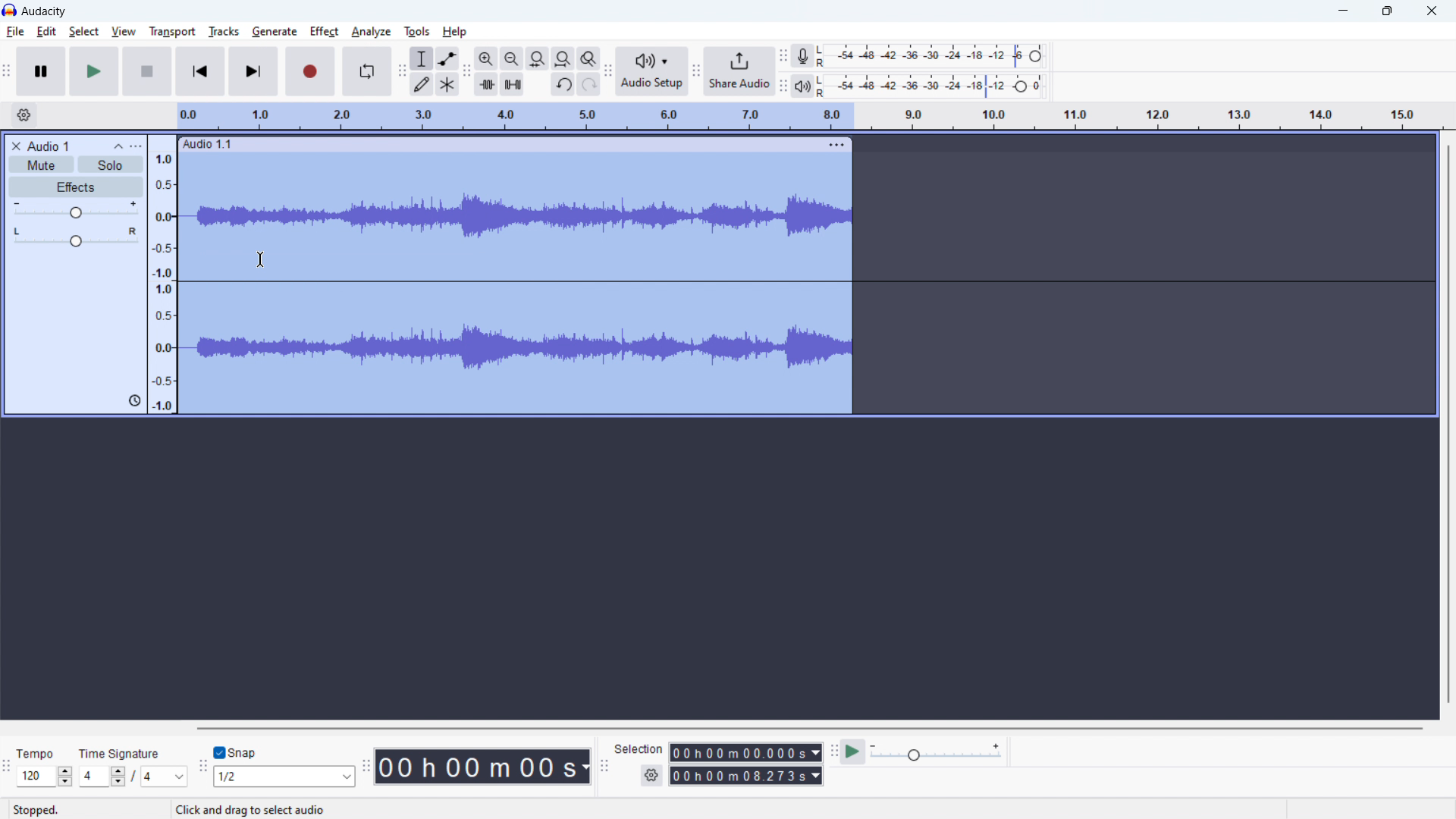 The height and width of the screenshot is (819, 1456). I want to click on draw tool, so click(421, 85).